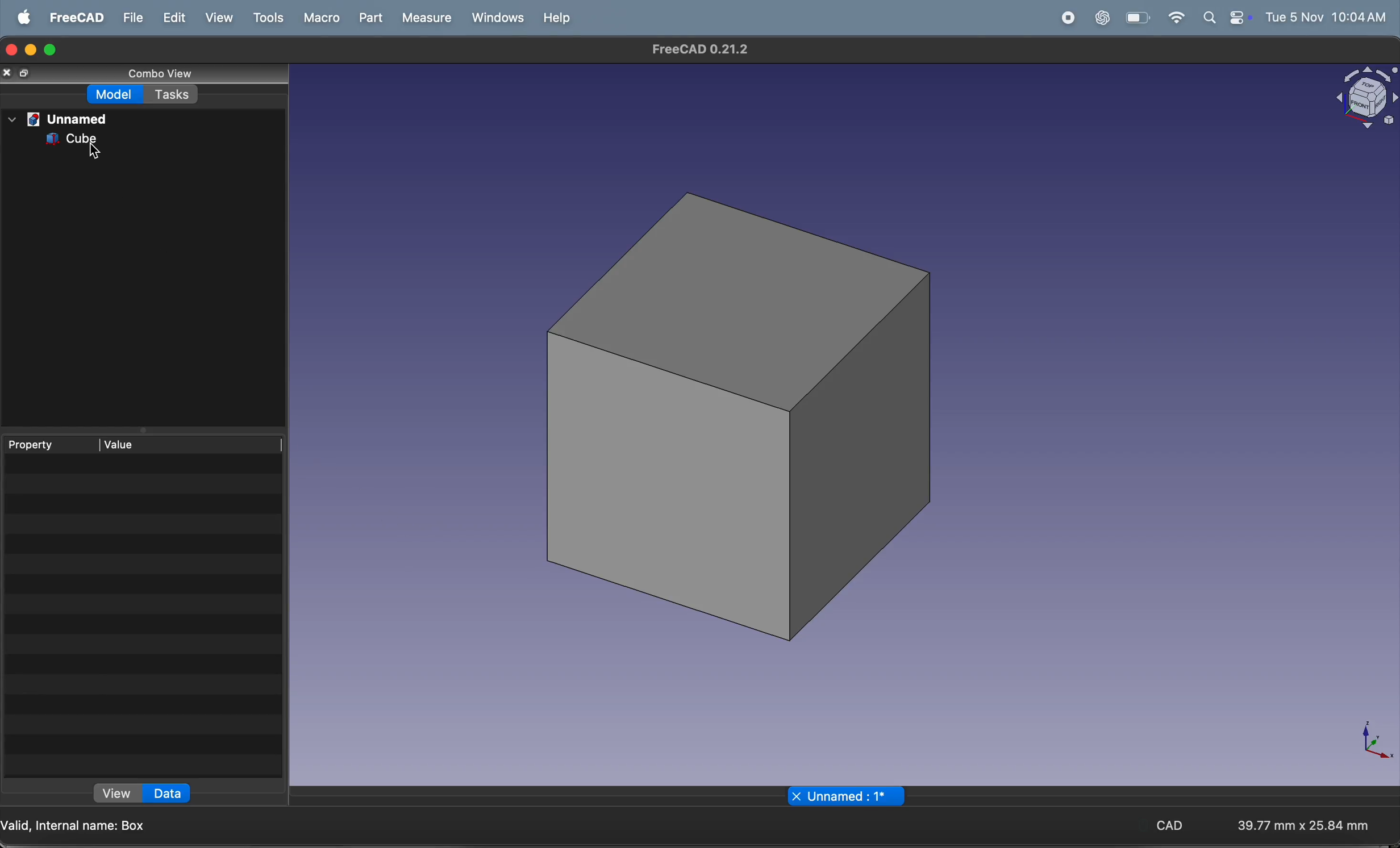 Image resolution: width=1400 pixels, height=848 pixels. What do you see at coordinates (179, 97) in the screenshot?
I see `tasks` at bounding box center [179, 97].